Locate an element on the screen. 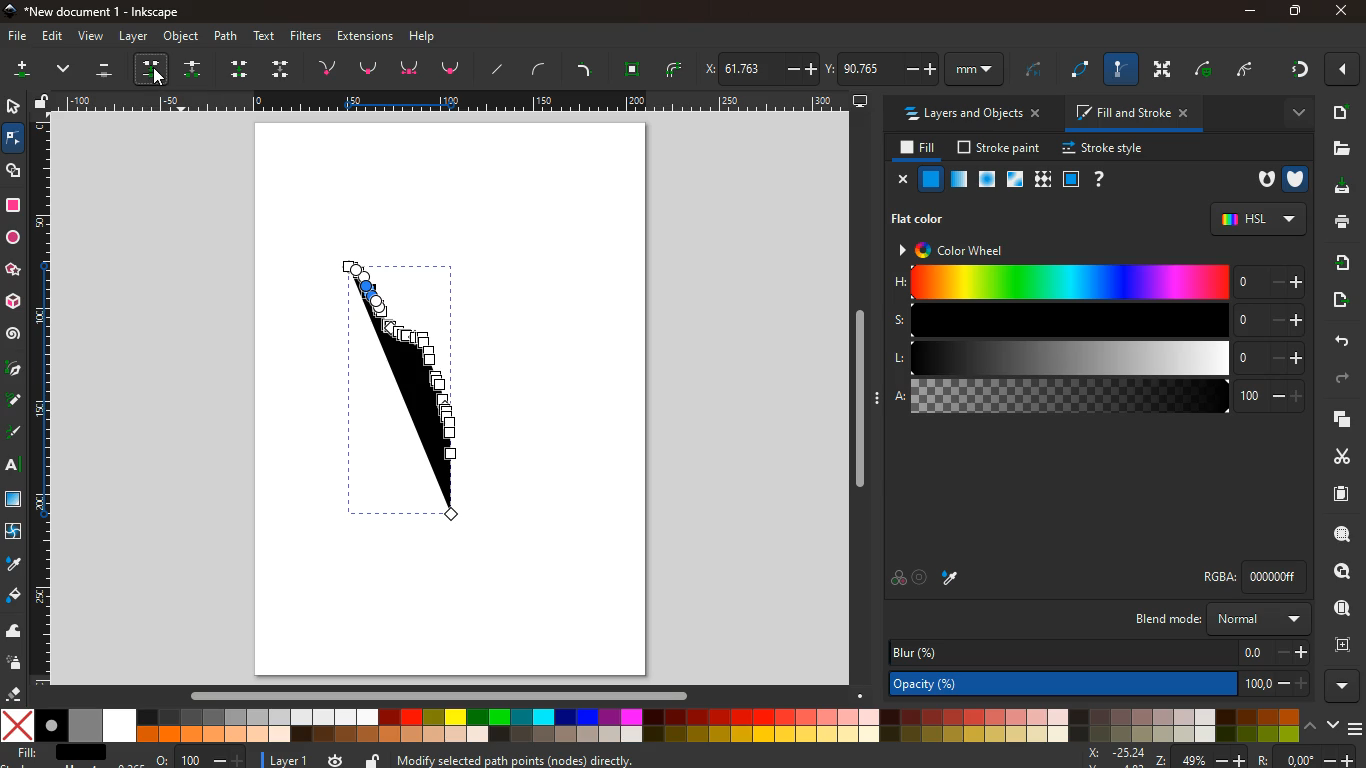  maximize is located at coordinates (1290, 10).